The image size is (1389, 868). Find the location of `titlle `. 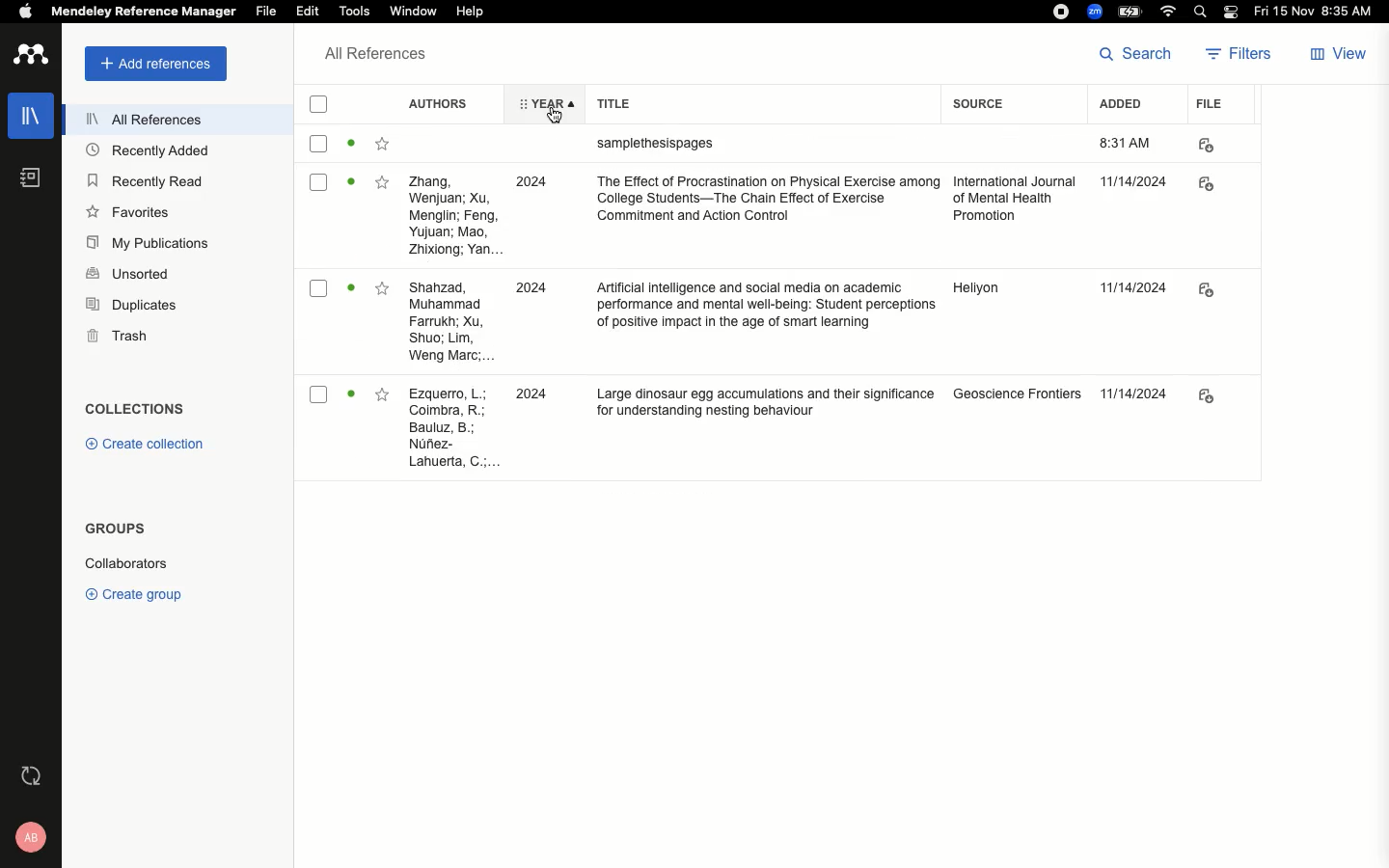

titlle  is located at coordinates (759, 394).